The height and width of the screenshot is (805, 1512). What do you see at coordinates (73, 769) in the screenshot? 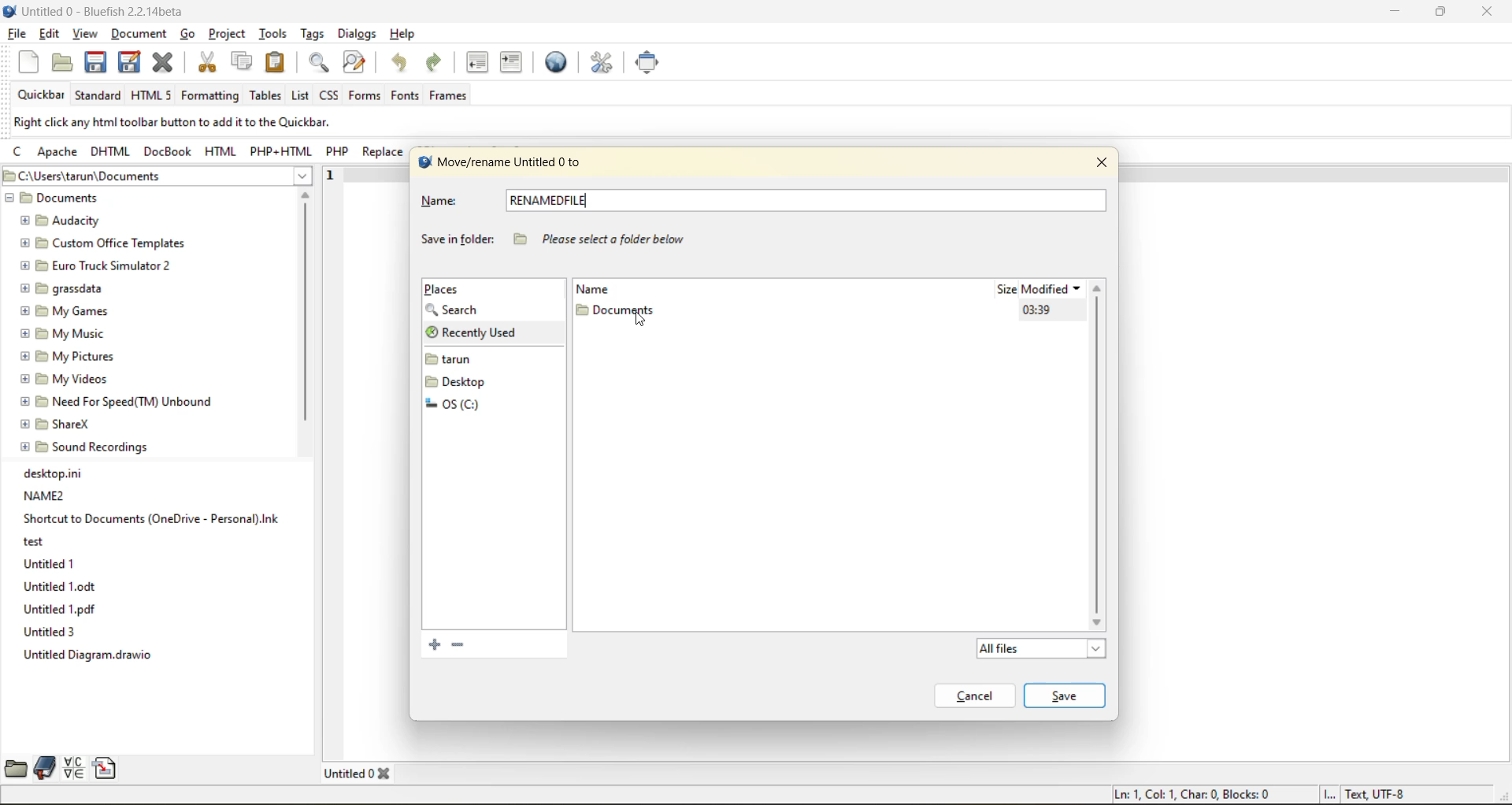
I see `charmap` at bounding box center [73, 769].